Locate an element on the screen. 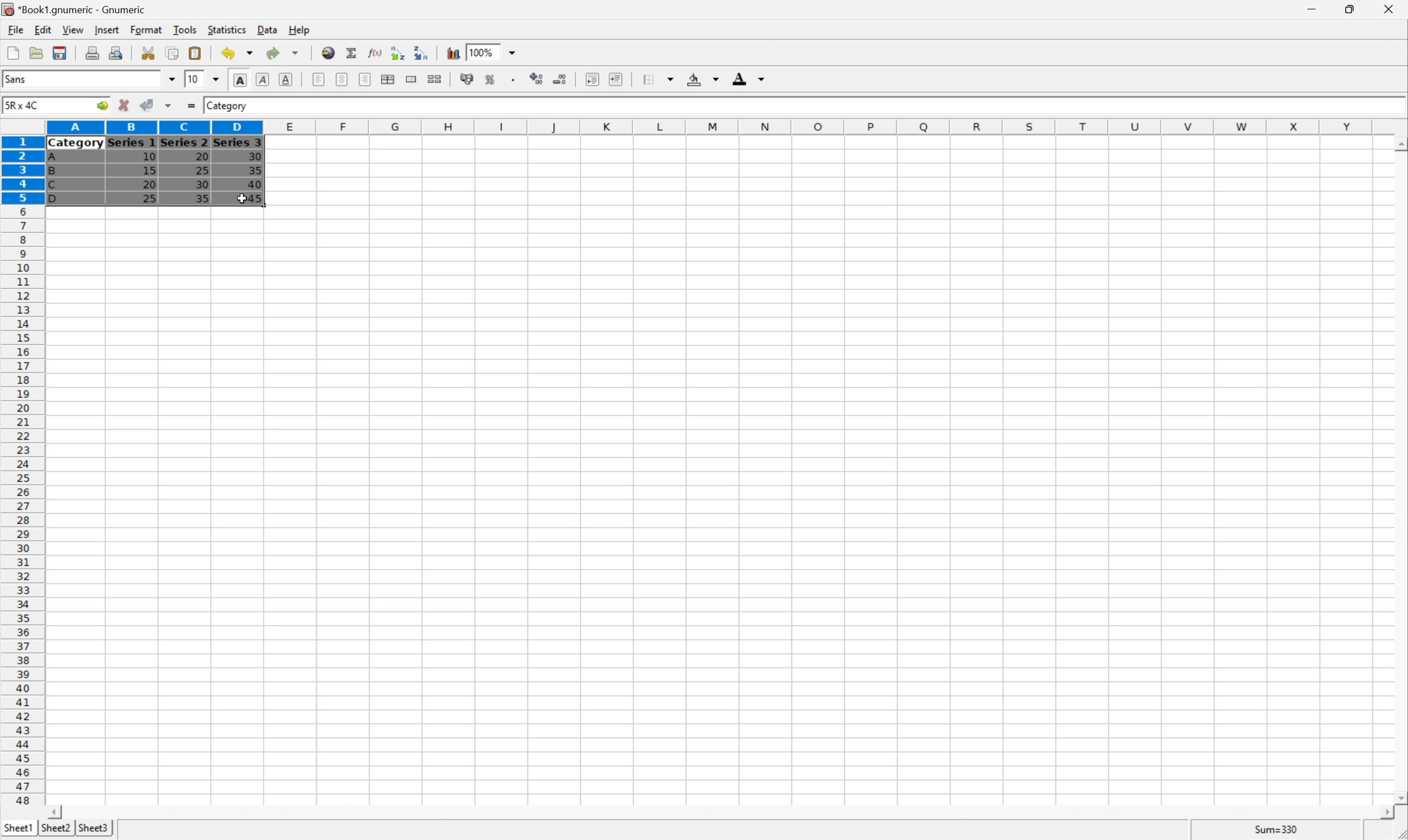 Image resolution: width=1408 pixels, height=840 pixels. Drop Down is located at coordinates (216, 80).